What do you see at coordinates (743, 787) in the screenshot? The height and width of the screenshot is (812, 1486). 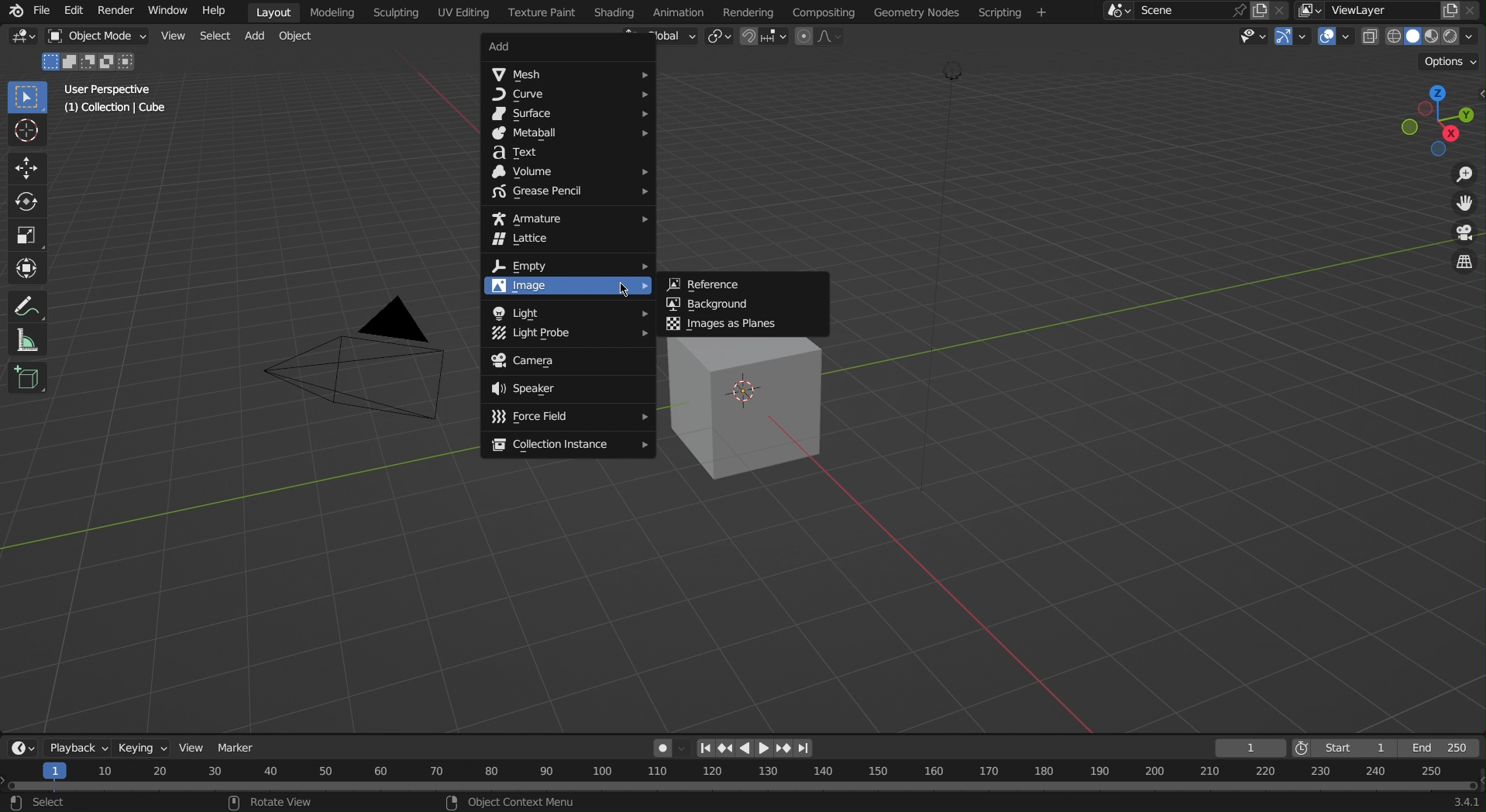 I see `Timeline` at bounding box center [743, 787].